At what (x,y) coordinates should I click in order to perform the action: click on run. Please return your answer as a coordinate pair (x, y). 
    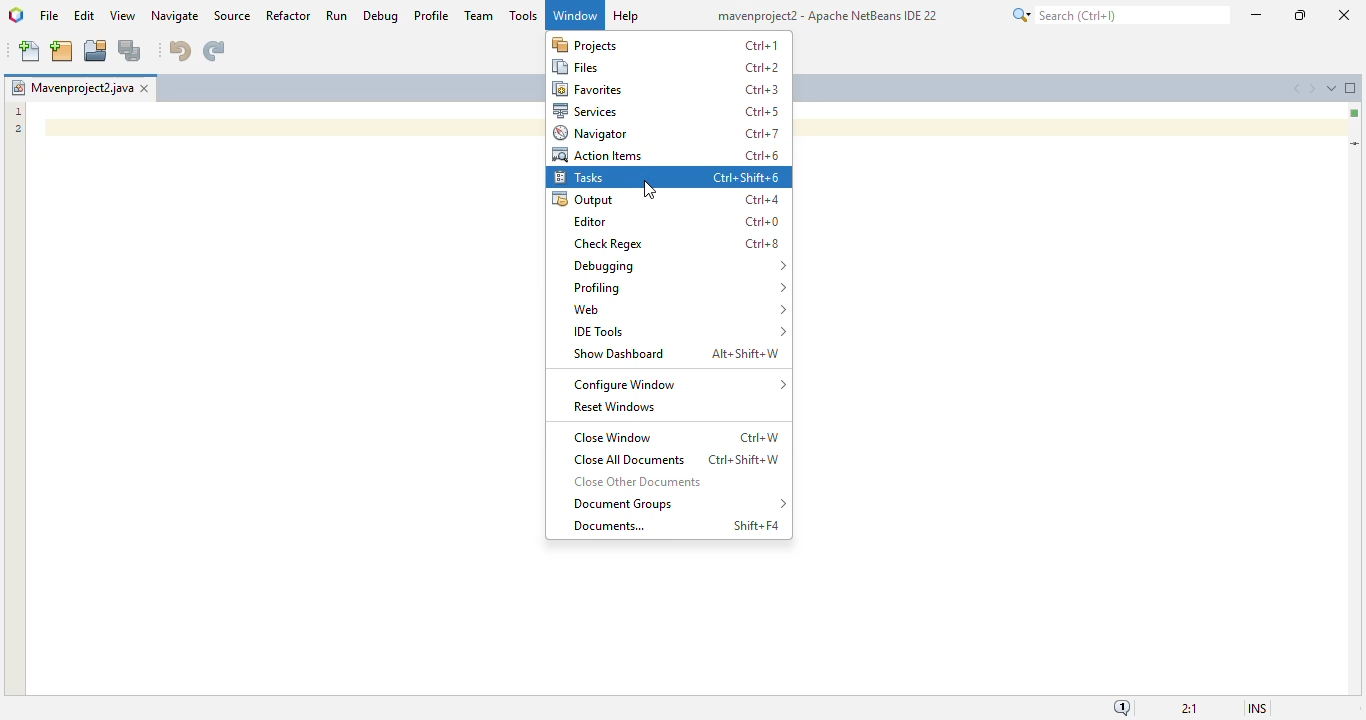
    Looking at the image, I should click on (336, 15).